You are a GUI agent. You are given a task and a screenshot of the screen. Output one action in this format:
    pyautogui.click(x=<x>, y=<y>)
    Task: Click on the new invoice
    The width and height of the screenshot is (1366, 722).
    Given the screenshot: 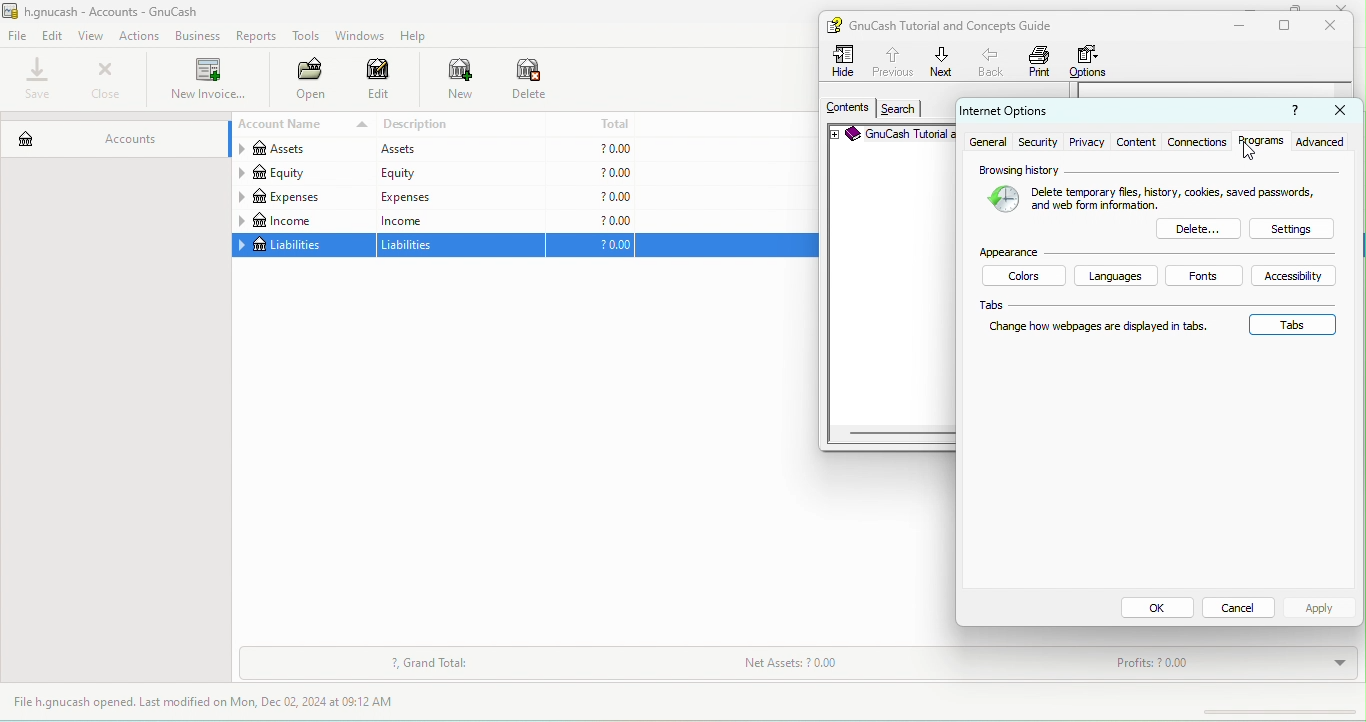 What is the action you would take?
    pyautogui.click(x=206, y=81)
    